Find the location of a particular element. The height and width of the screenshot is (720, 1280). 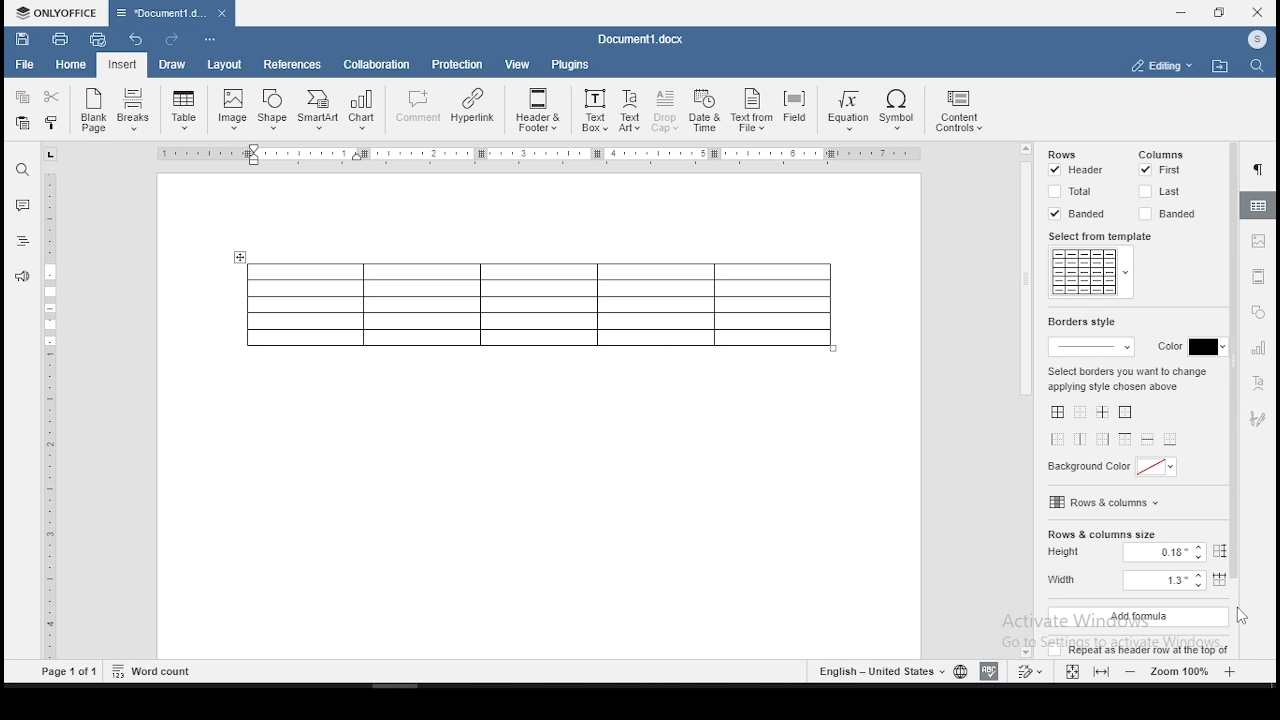

open file location is located at coordinates (1220, 66).